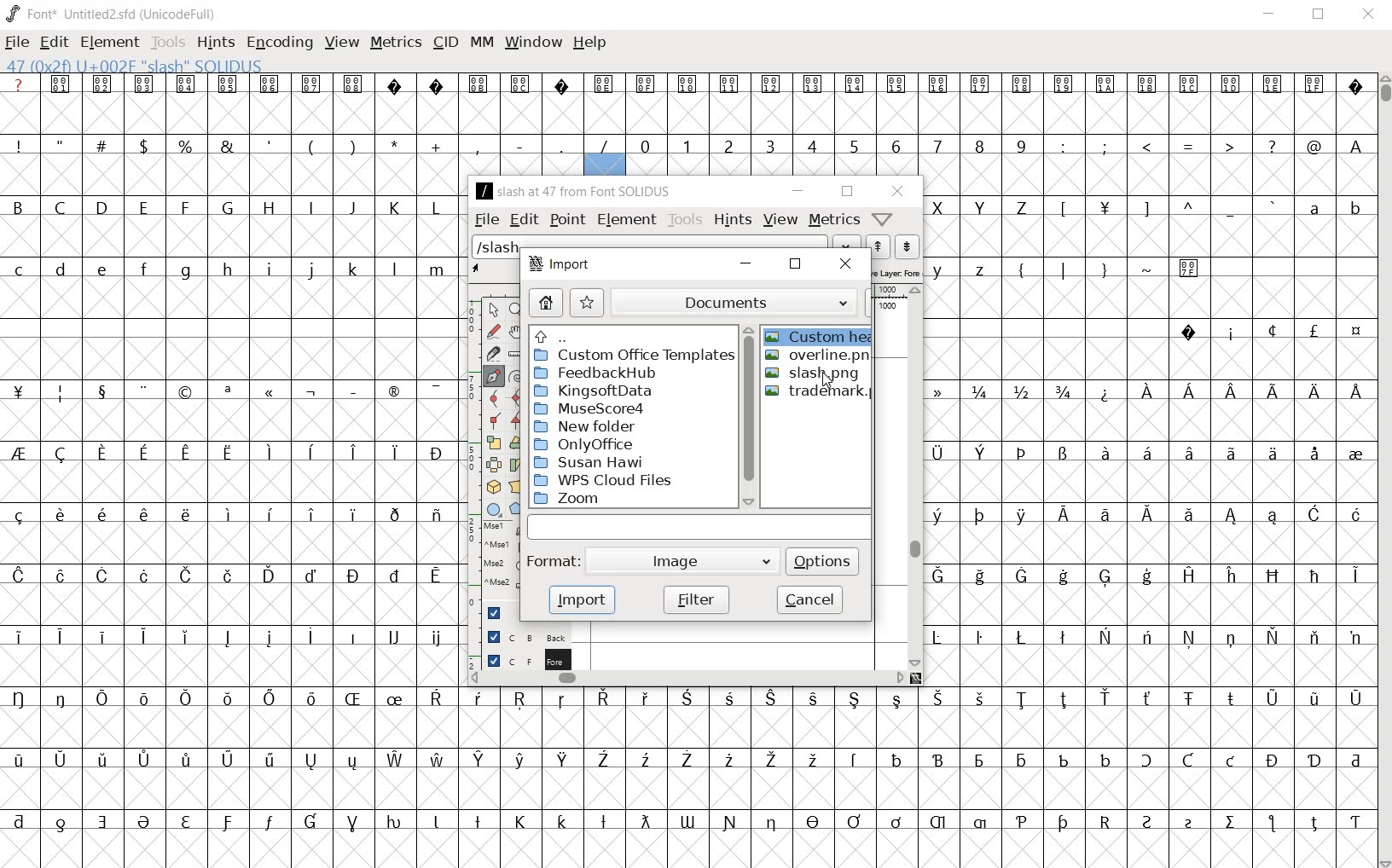  Describe the element at coordinates (514, 421) in the screenshot. I see `Add a corner point` at that location.